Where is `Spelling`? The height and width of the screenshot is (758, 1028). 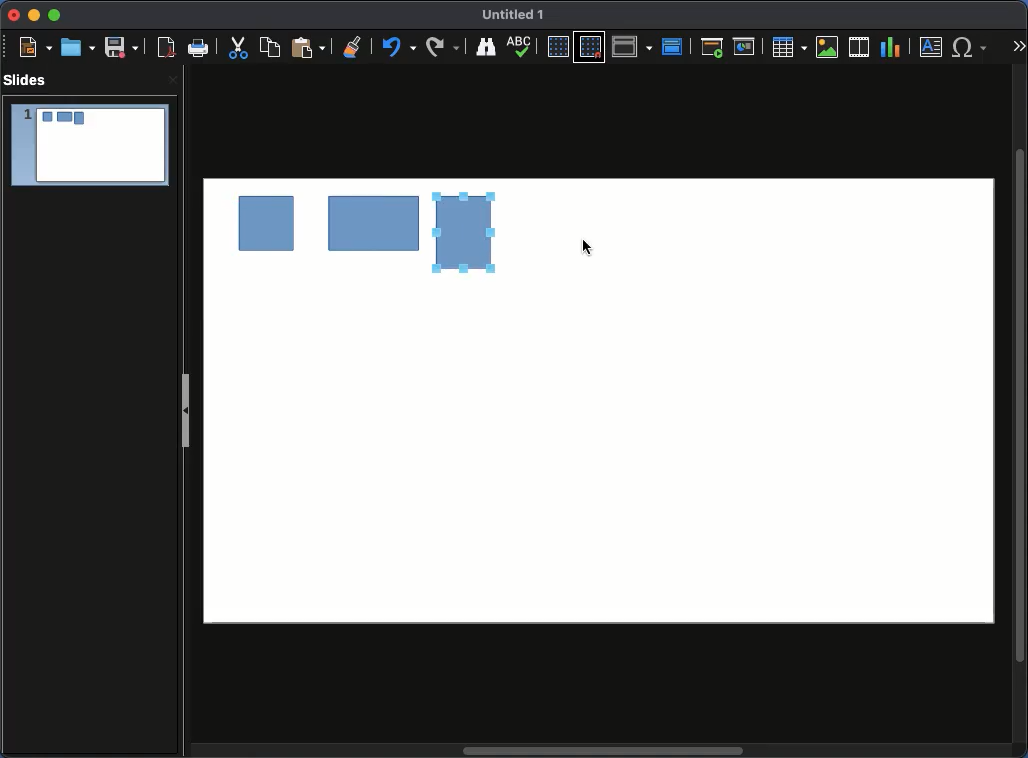
Spelling is located at coordinates (485, 47).